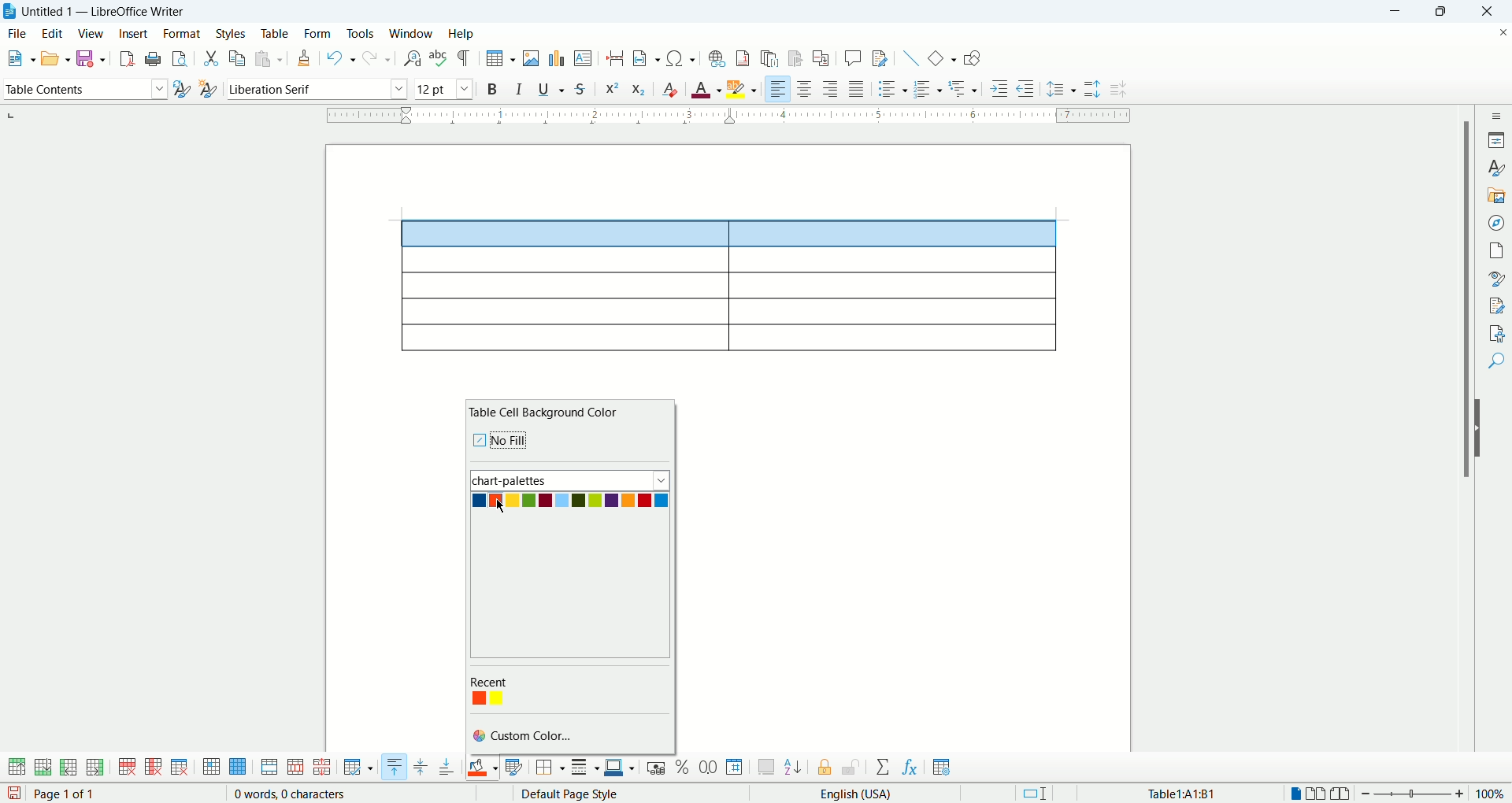 The width and height of the screenshot is (1512, 803). I want to click on split table, so click(321, 768).